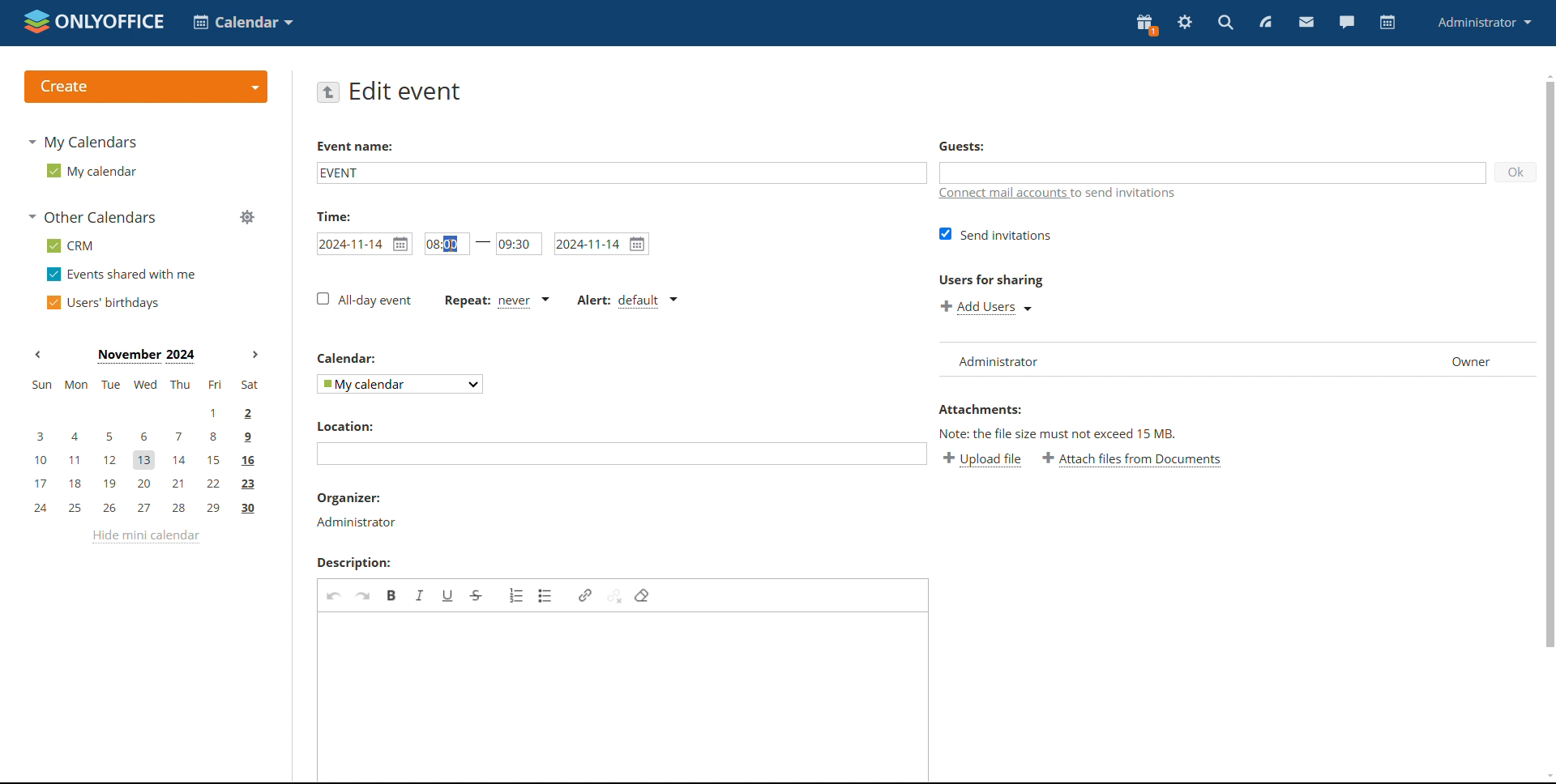  I want to click on underline, so click(448, 595).